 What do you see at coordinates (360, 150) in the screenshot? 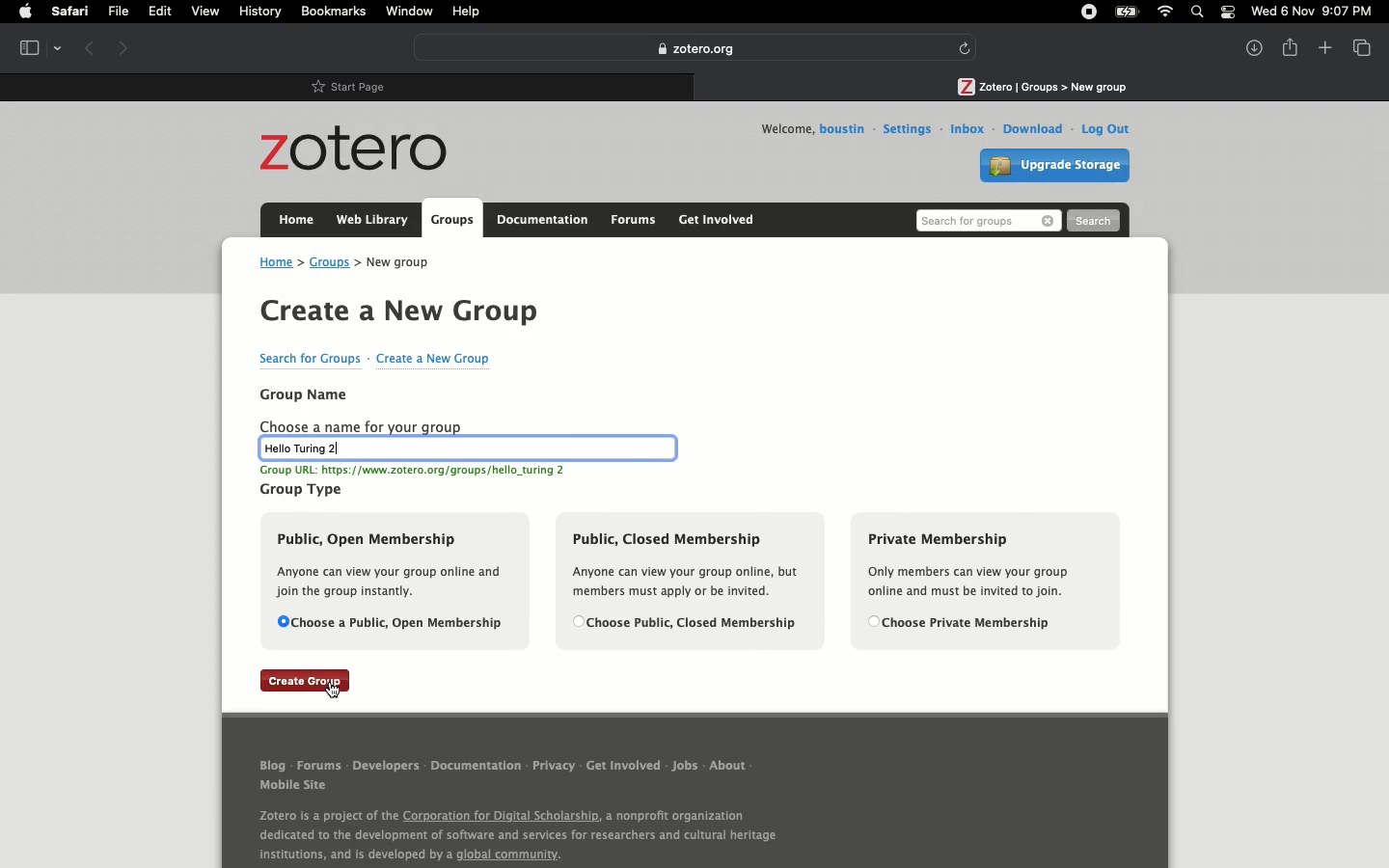
I see `Zotero` at bounding box center [360, 150].